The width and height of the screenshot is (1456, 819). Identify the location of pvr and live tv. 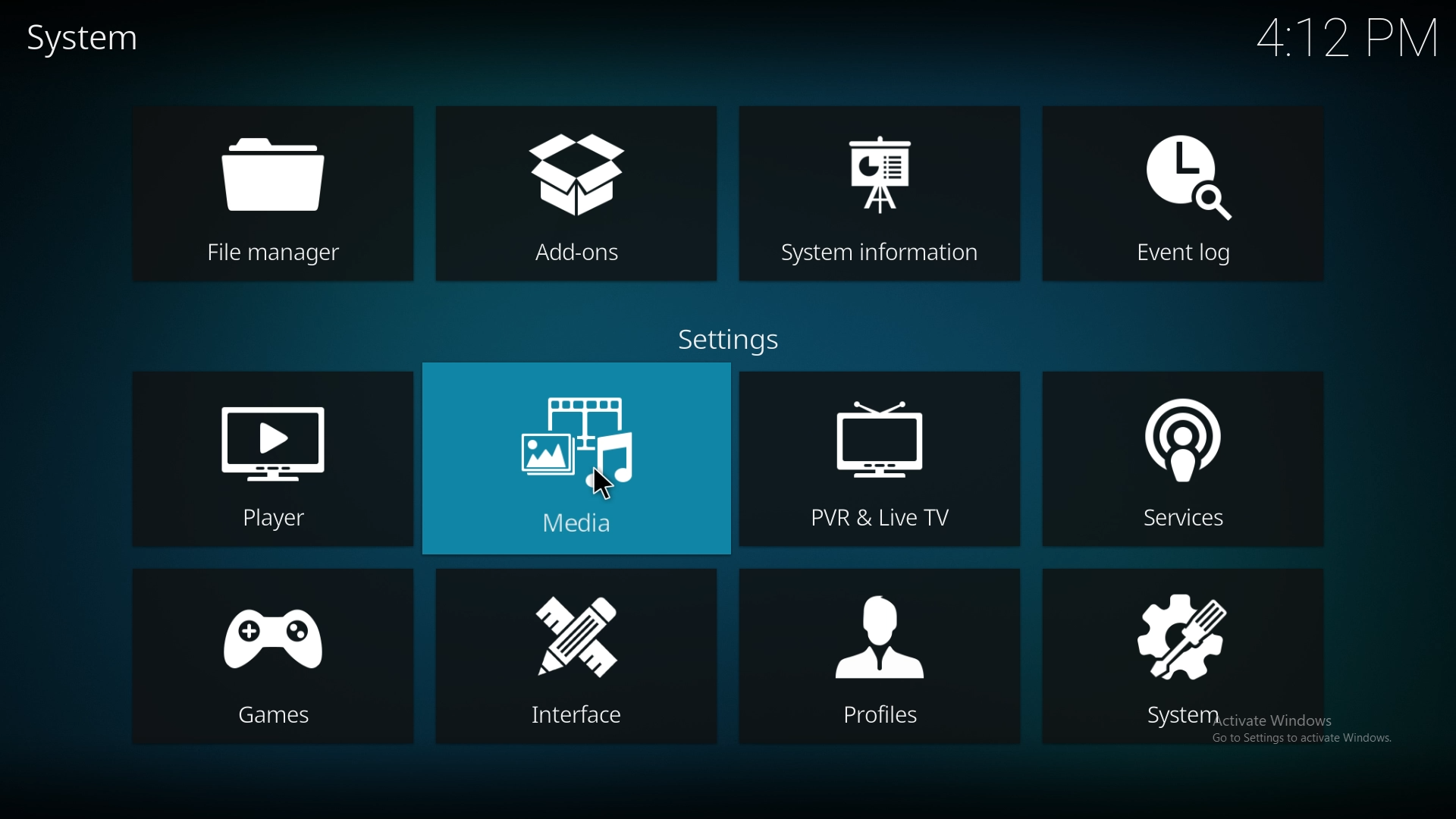
(883, 455).